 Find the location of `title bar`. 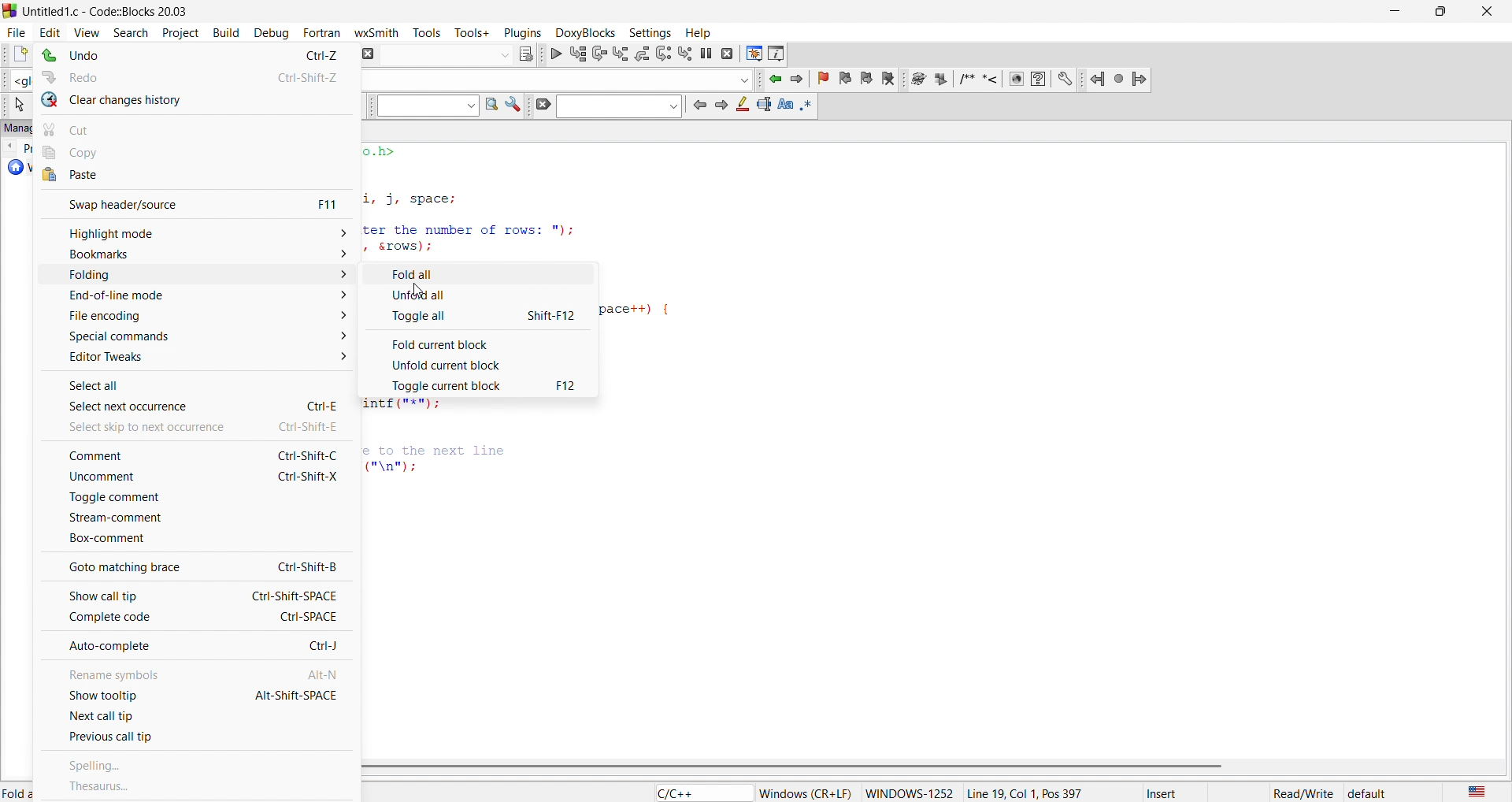

title bar is located at coordinates (110, 12).